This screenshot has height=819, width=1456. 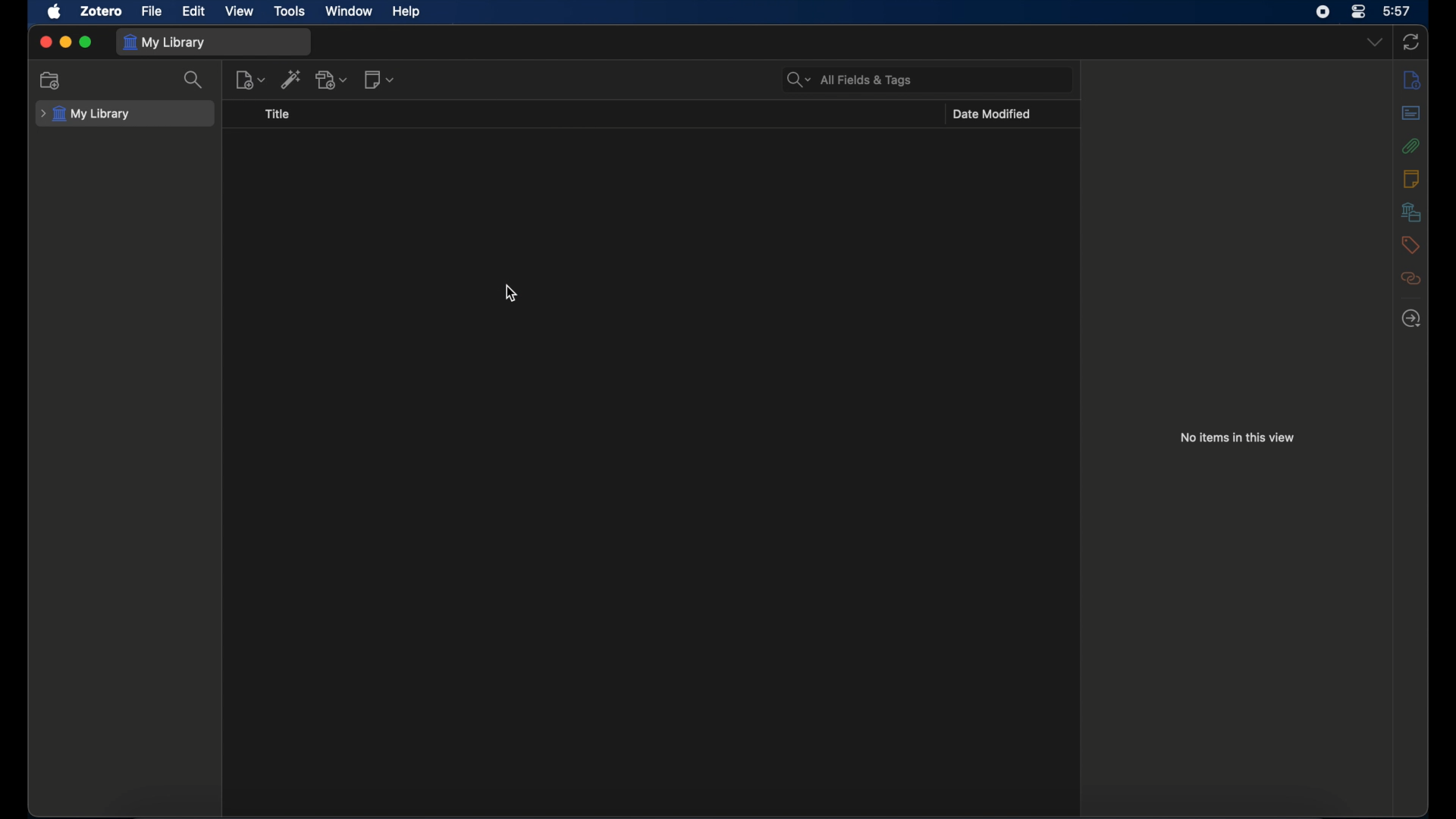 I want to click on related, so click(x=1411, y=278).